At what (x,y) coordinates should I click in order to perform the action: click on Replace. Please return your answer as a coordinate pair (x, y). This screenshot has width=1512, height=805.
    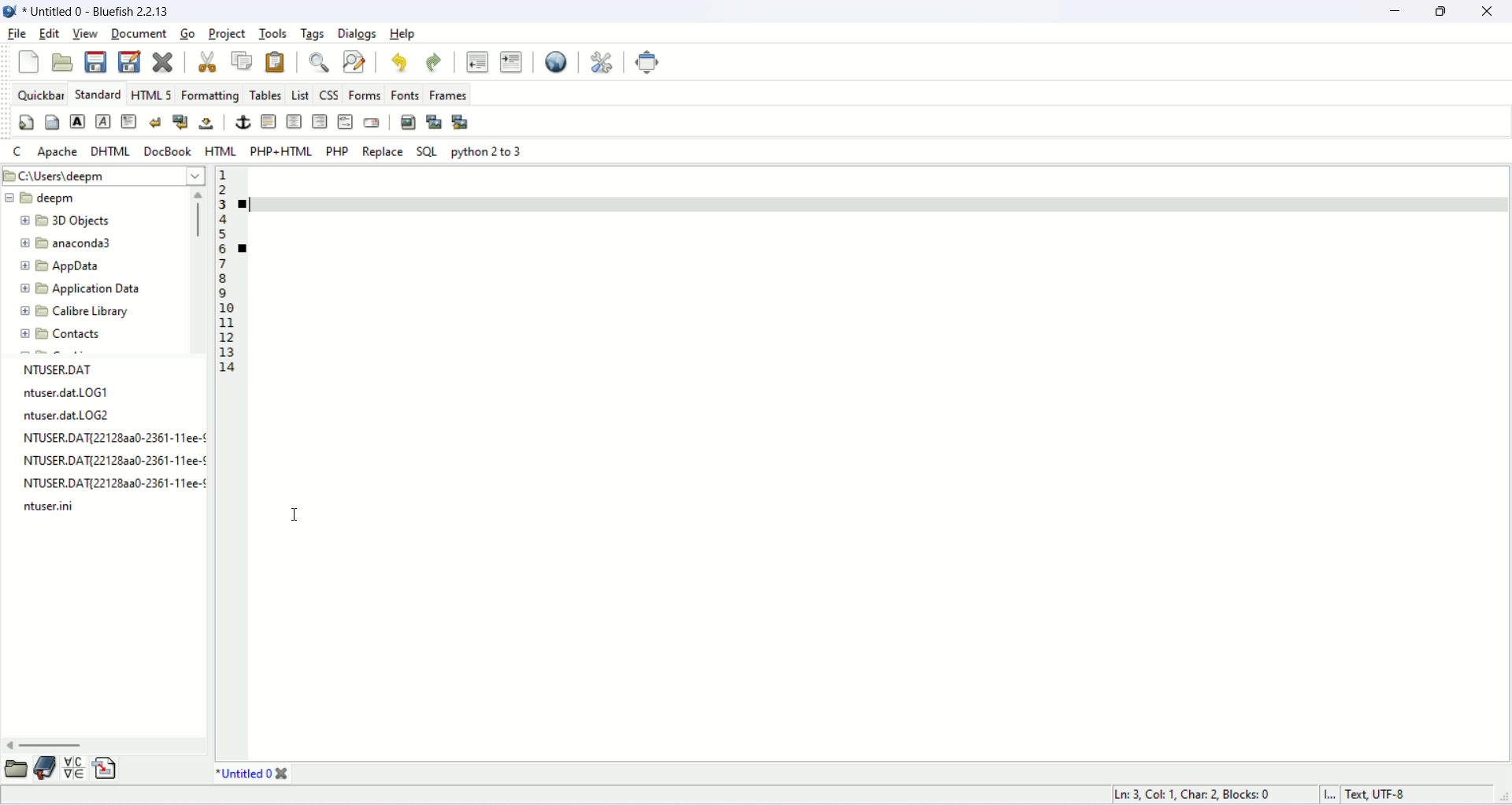
    Looking at the image, I should click on (381, 152).